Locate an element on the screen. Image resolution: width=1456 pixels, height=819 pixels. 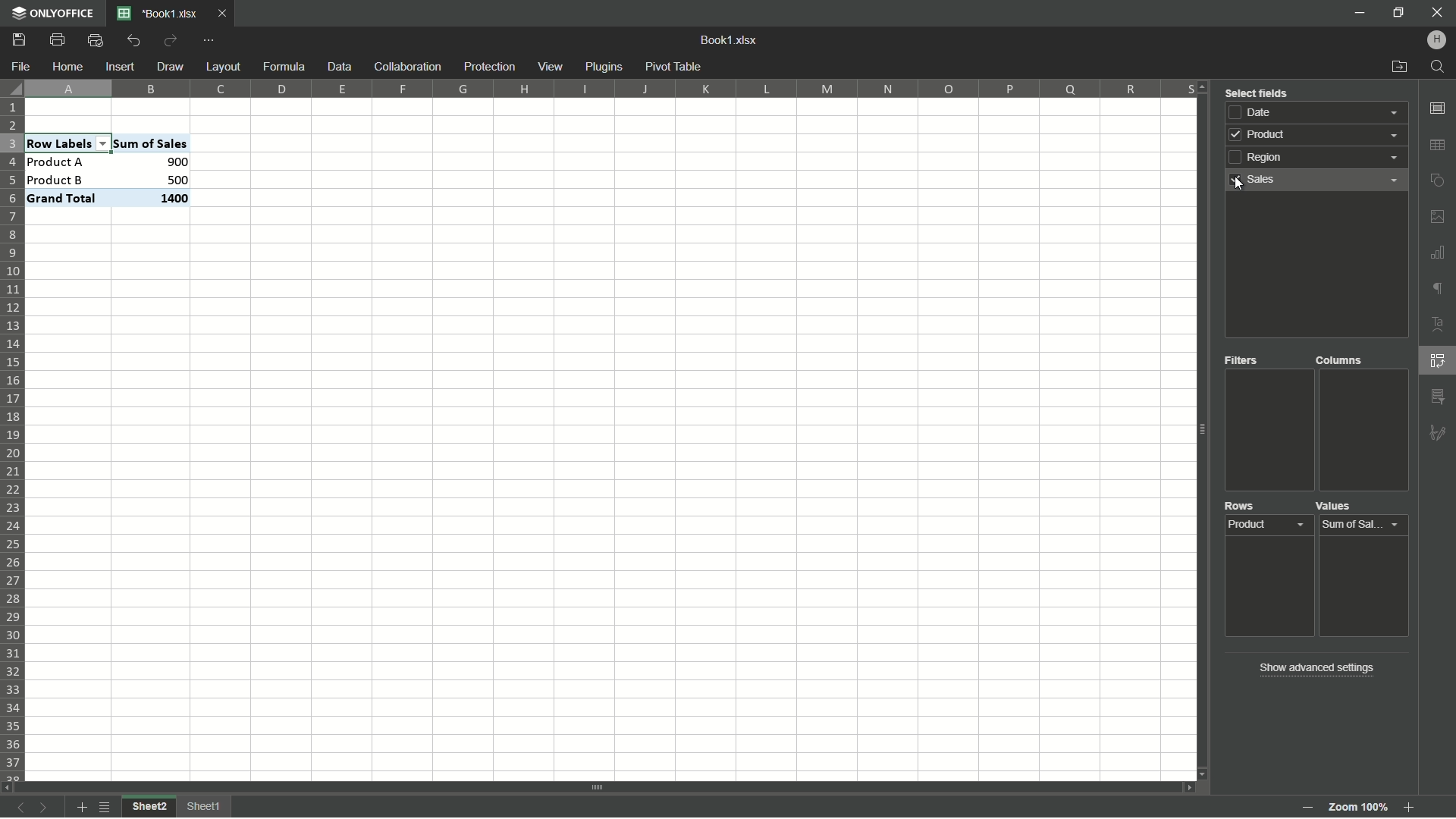
Product is located at coordinates (1271, 527).